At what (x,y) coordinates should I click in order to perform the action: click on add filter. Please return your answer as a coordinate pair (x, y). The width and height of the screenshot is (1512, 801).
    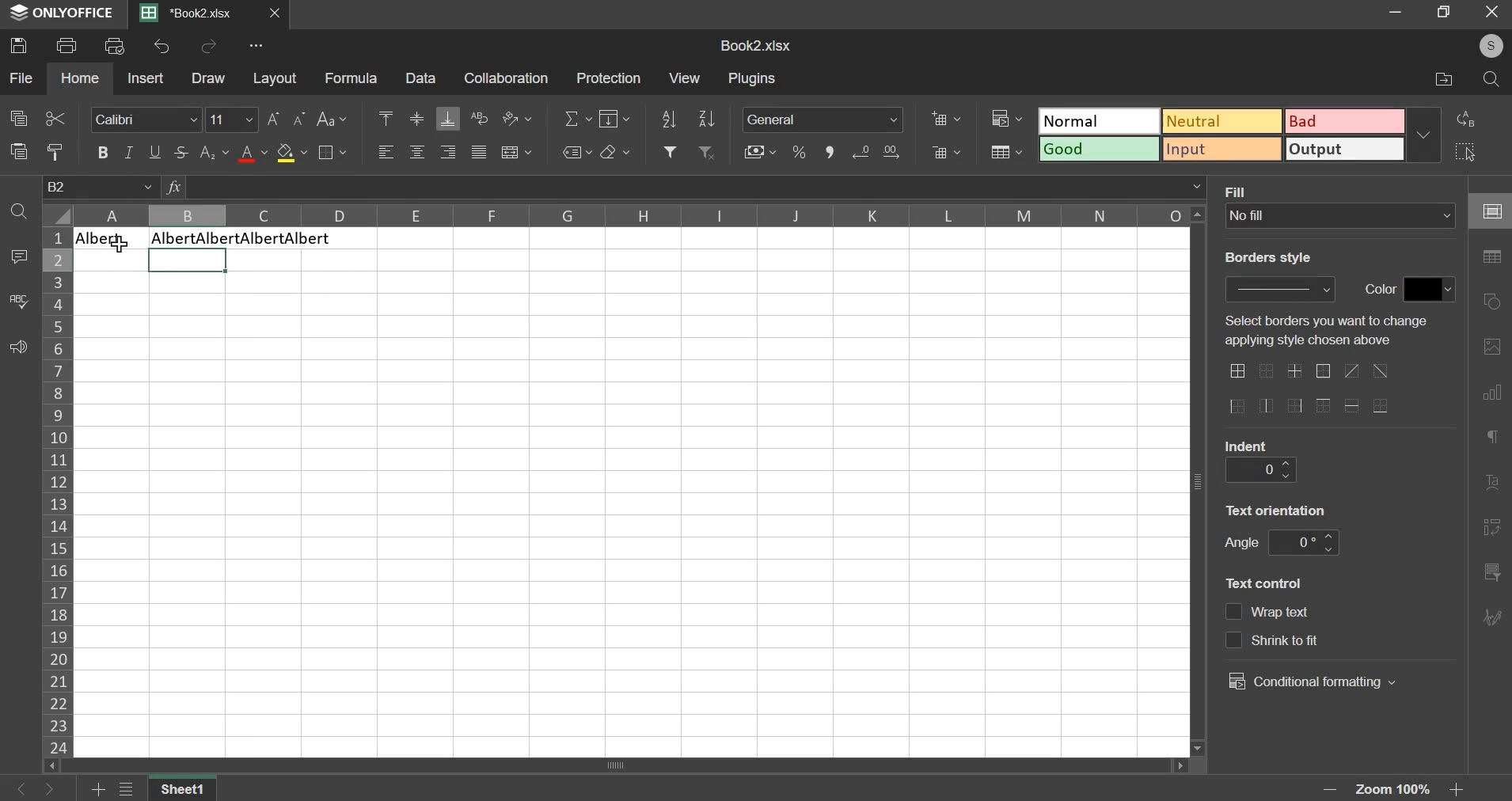
    Looking at the image, I should click on (671, 151).